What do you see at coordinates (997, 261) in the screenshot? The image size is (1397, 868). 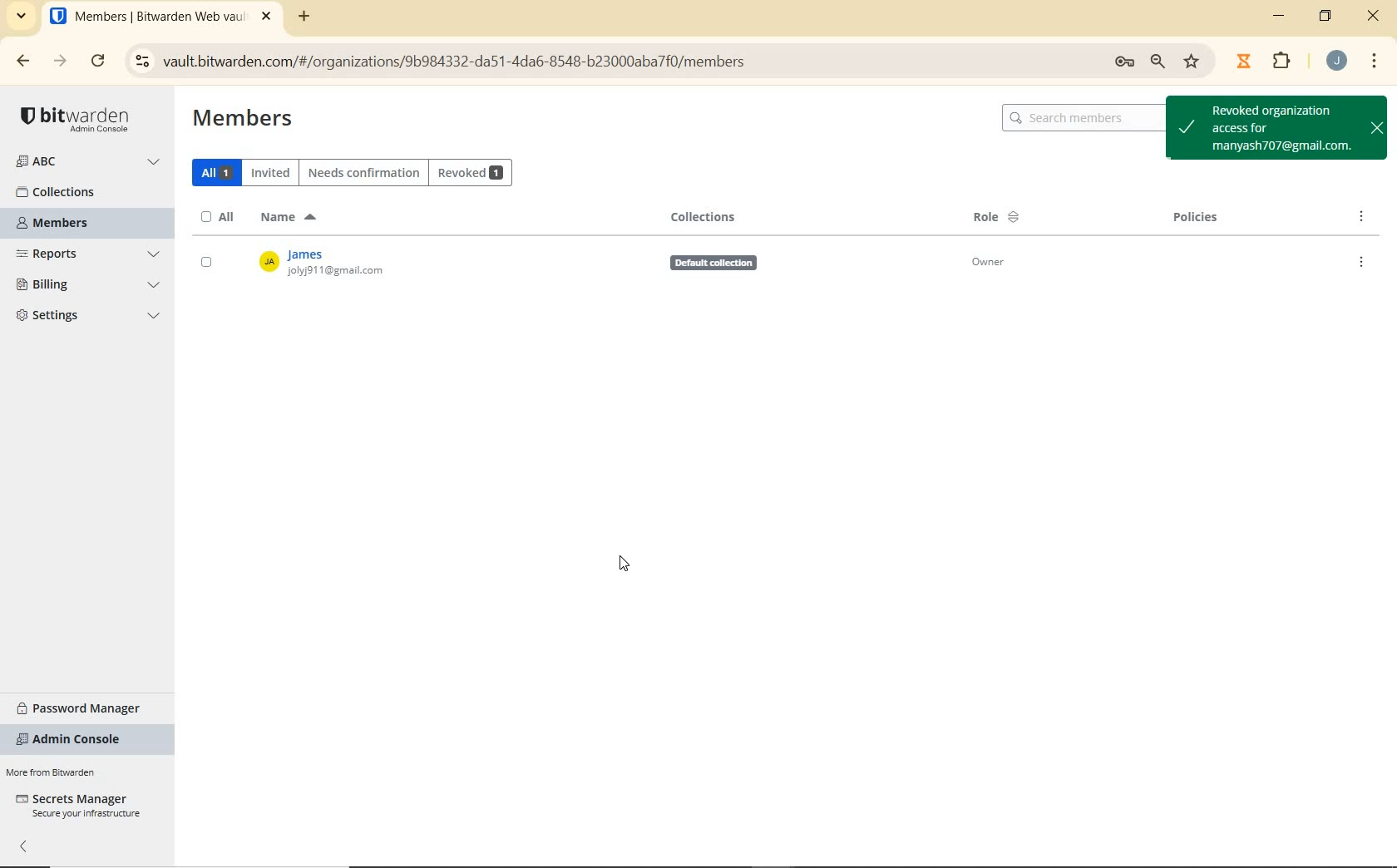 I see `Owner` at bounding box center [997, 261].